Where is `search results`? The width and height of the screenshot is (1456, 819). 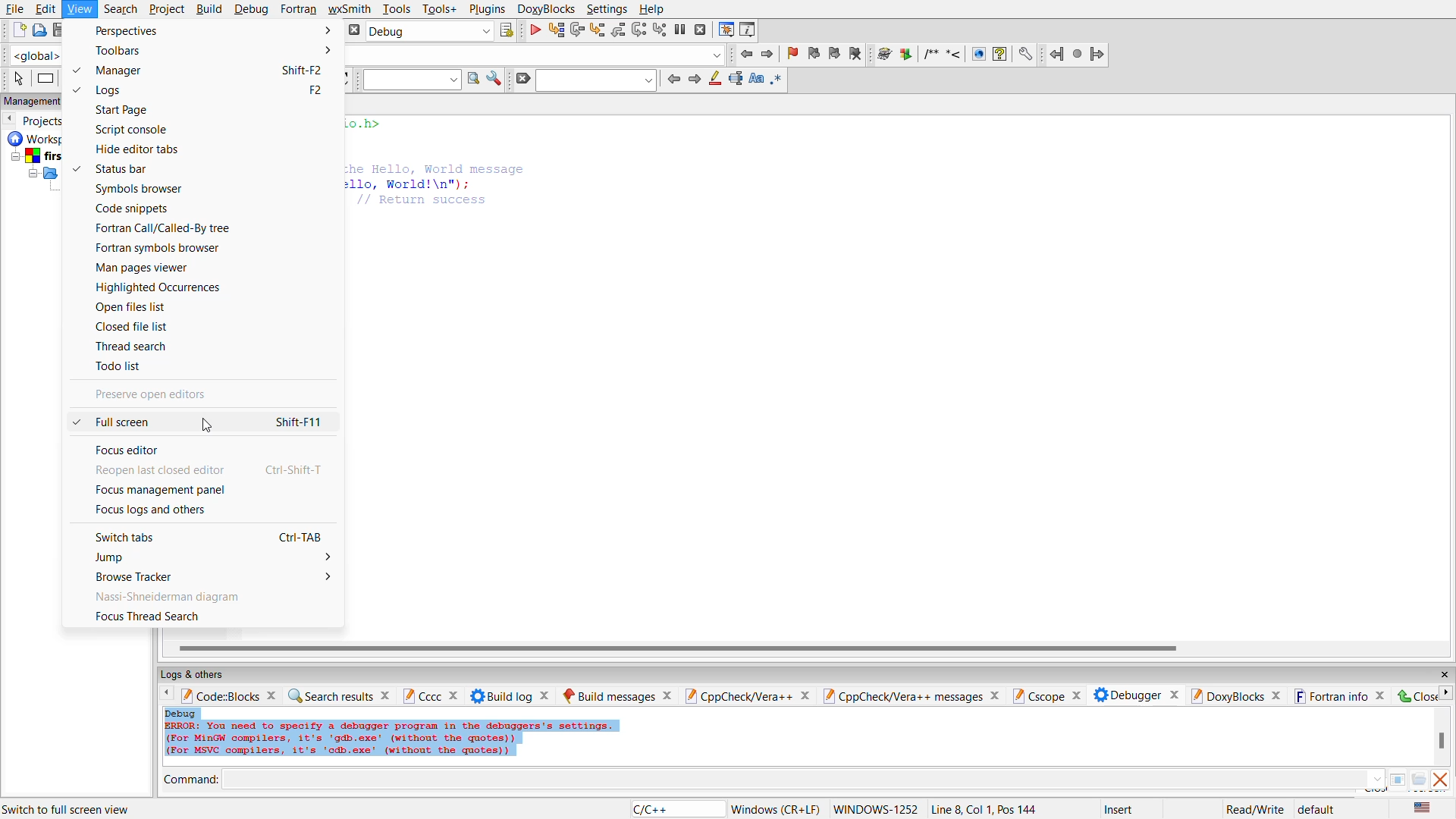
search results is located at coordinates (337, 693).